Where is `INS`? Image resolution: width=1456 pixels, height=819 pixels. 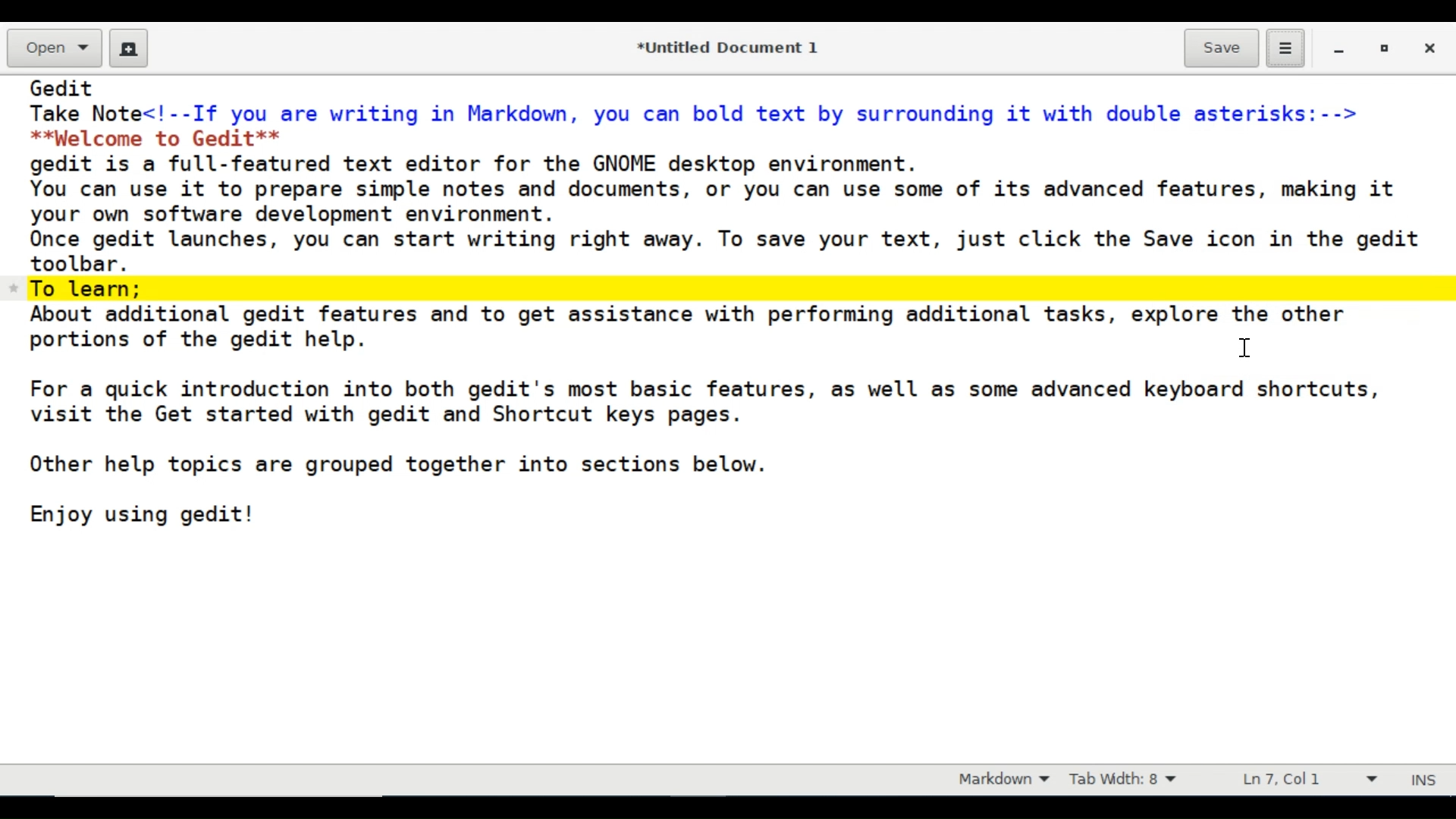
INS is located at coordinates (1426, 781).